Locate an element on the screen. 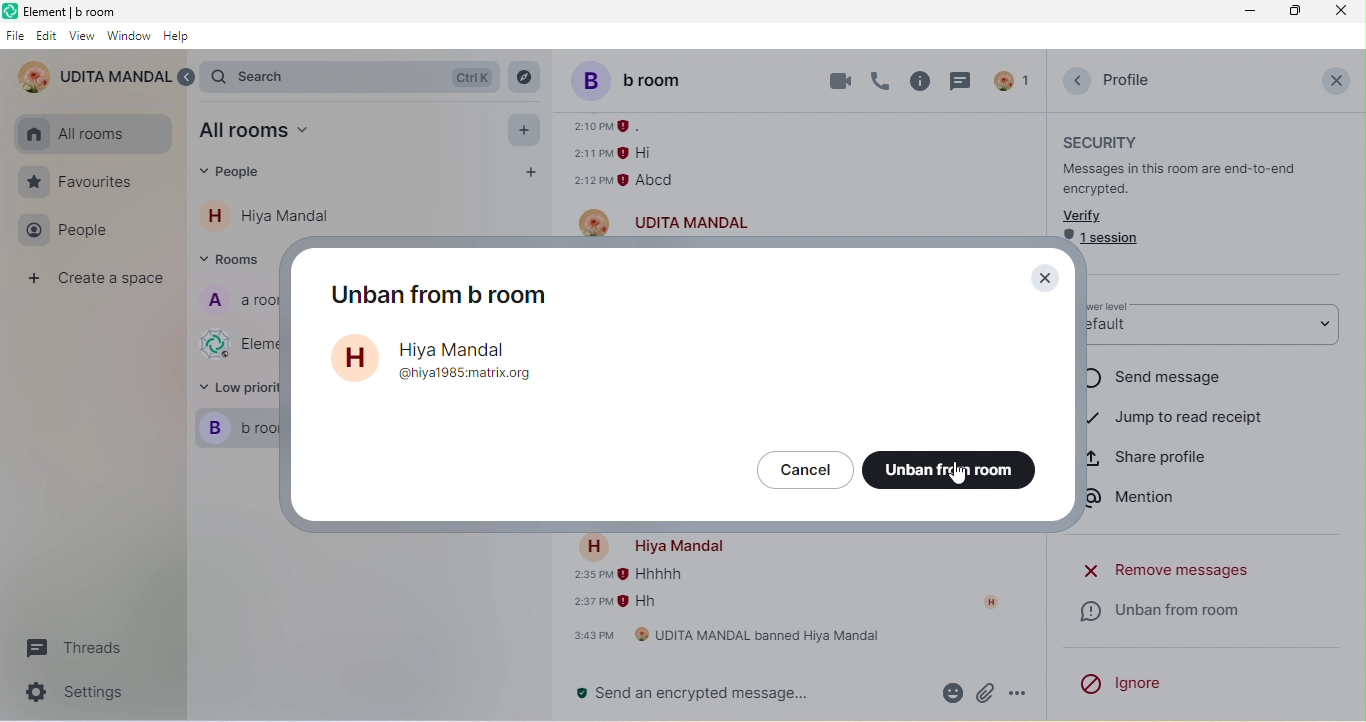 Image resolution: width=1366 pixels, height=722 pixels. close is located at coordinates (1336, 79).